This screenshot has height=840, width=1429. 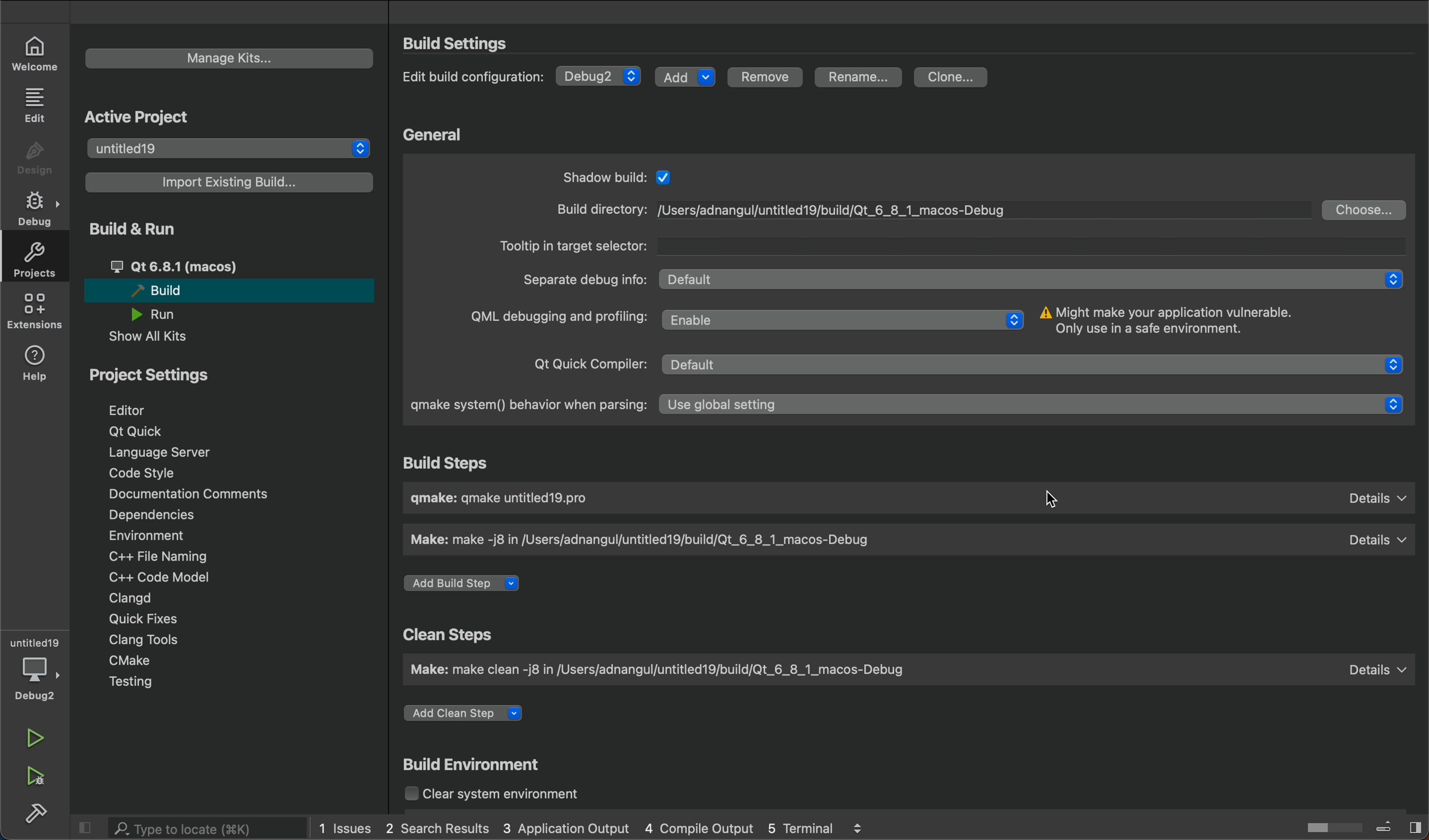 What do you see at coordinates (1371, 673) in the screenshot?
I see `default` at bounding box center [1371, 673].